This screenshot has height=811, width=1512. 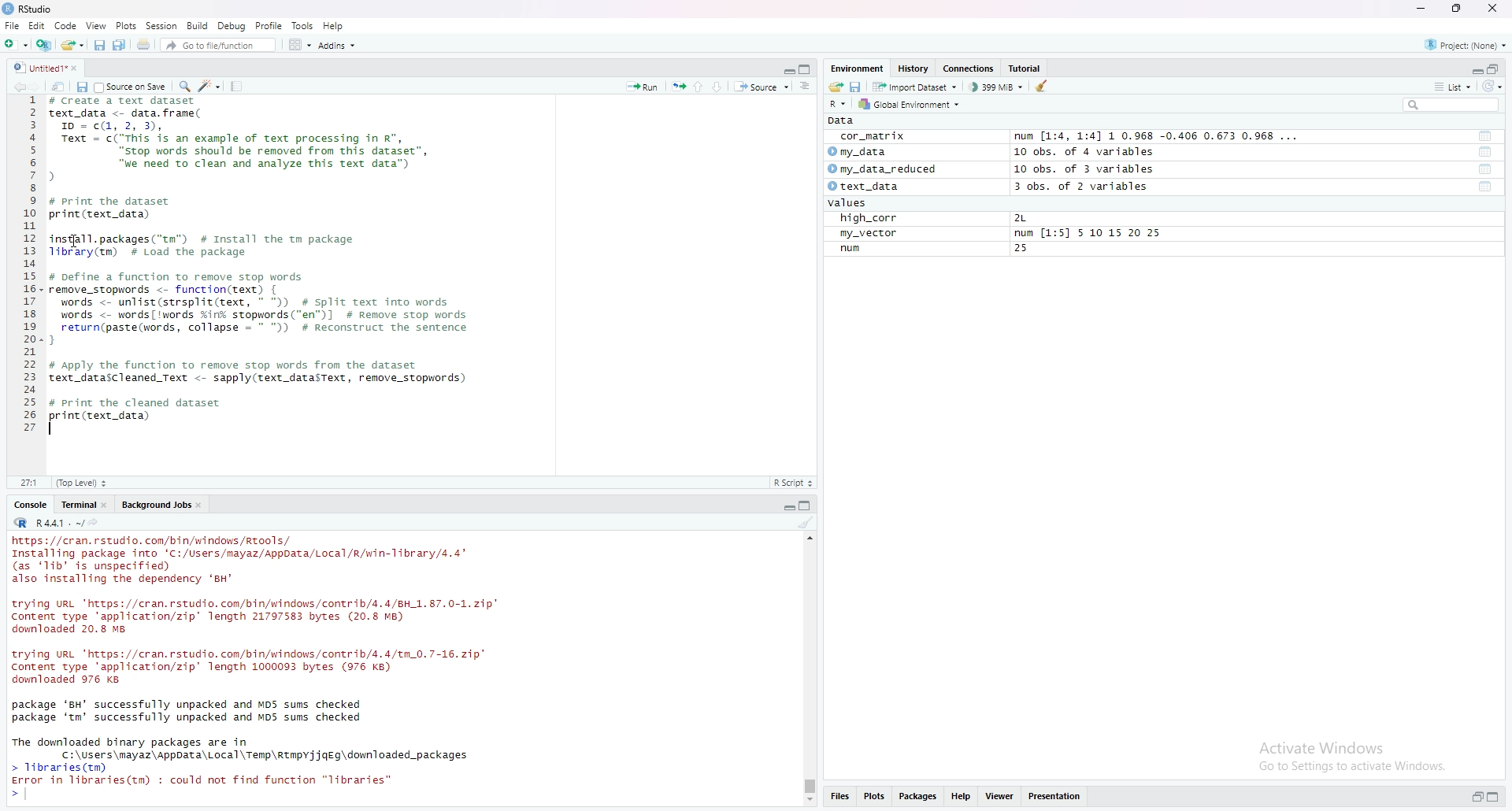 What do you see at coordinates (162, 506) in the screenshot?
I see `background jobs` at bounding box center [162, 506].